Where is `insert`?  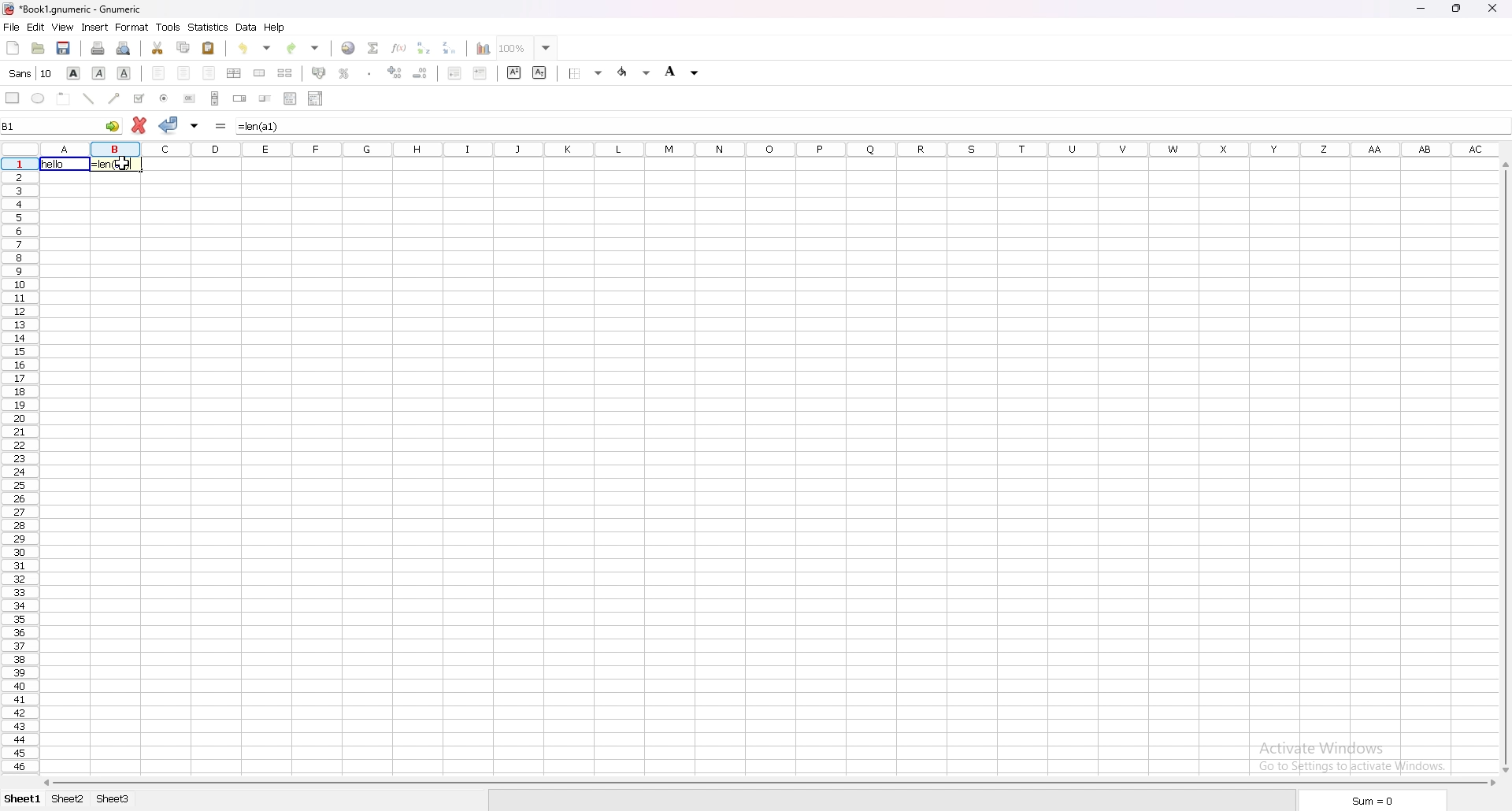 insert is located at coordinates (94, 28).